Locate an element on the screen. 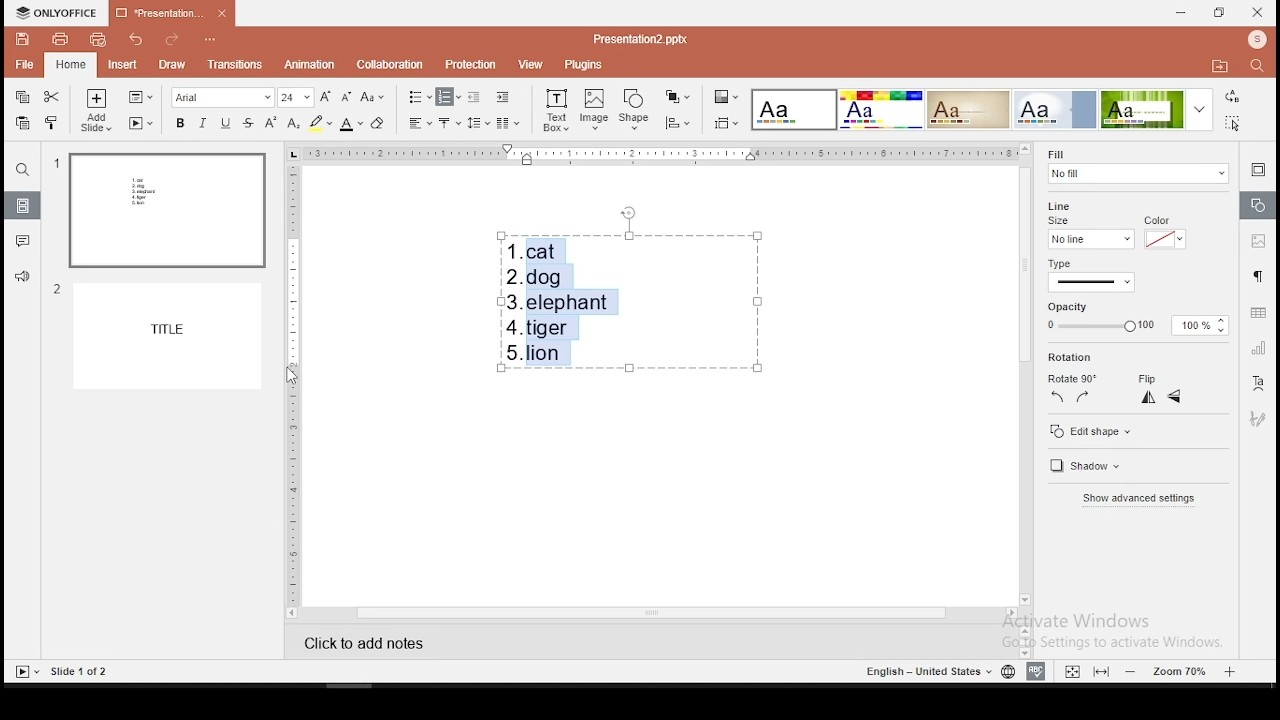 The height and width of the screenshot is (720, 1280). icon is located at coordinates (58, 13).